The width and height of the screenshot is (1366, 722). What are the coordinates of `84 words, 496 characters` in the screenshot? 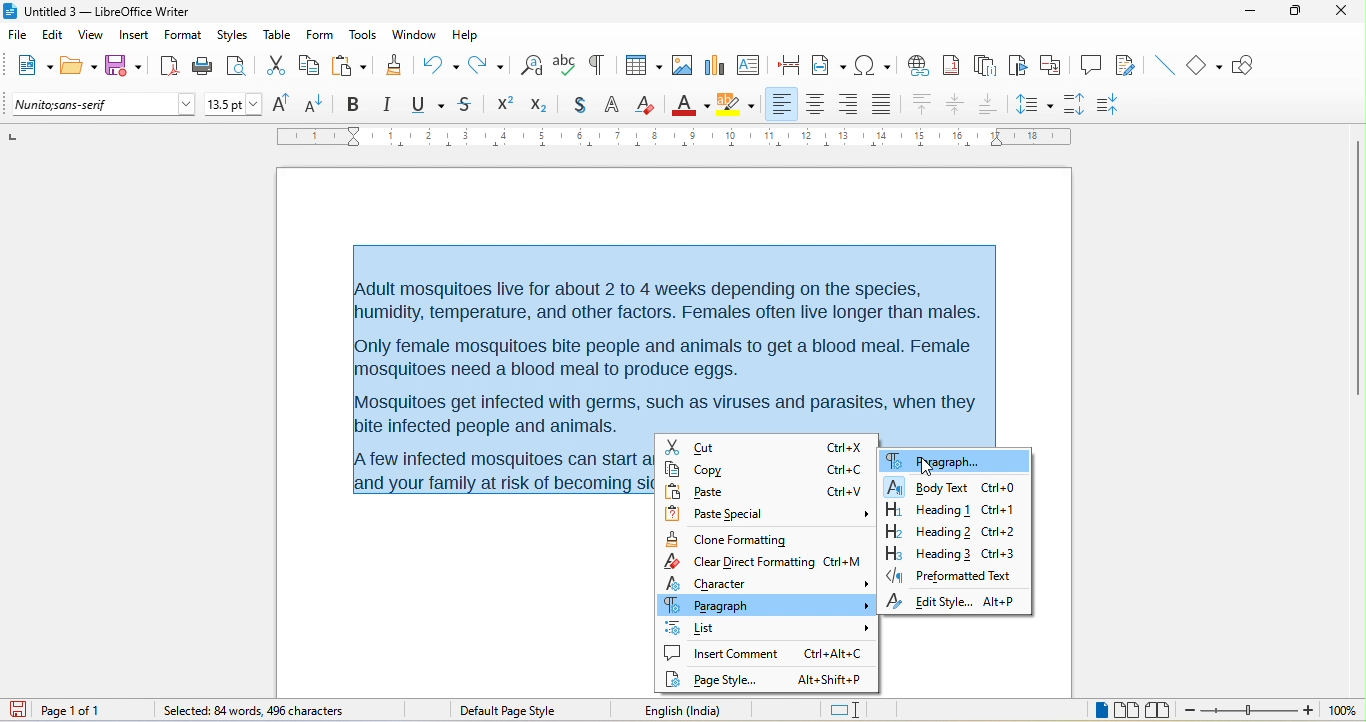 It's located at (251, 712).